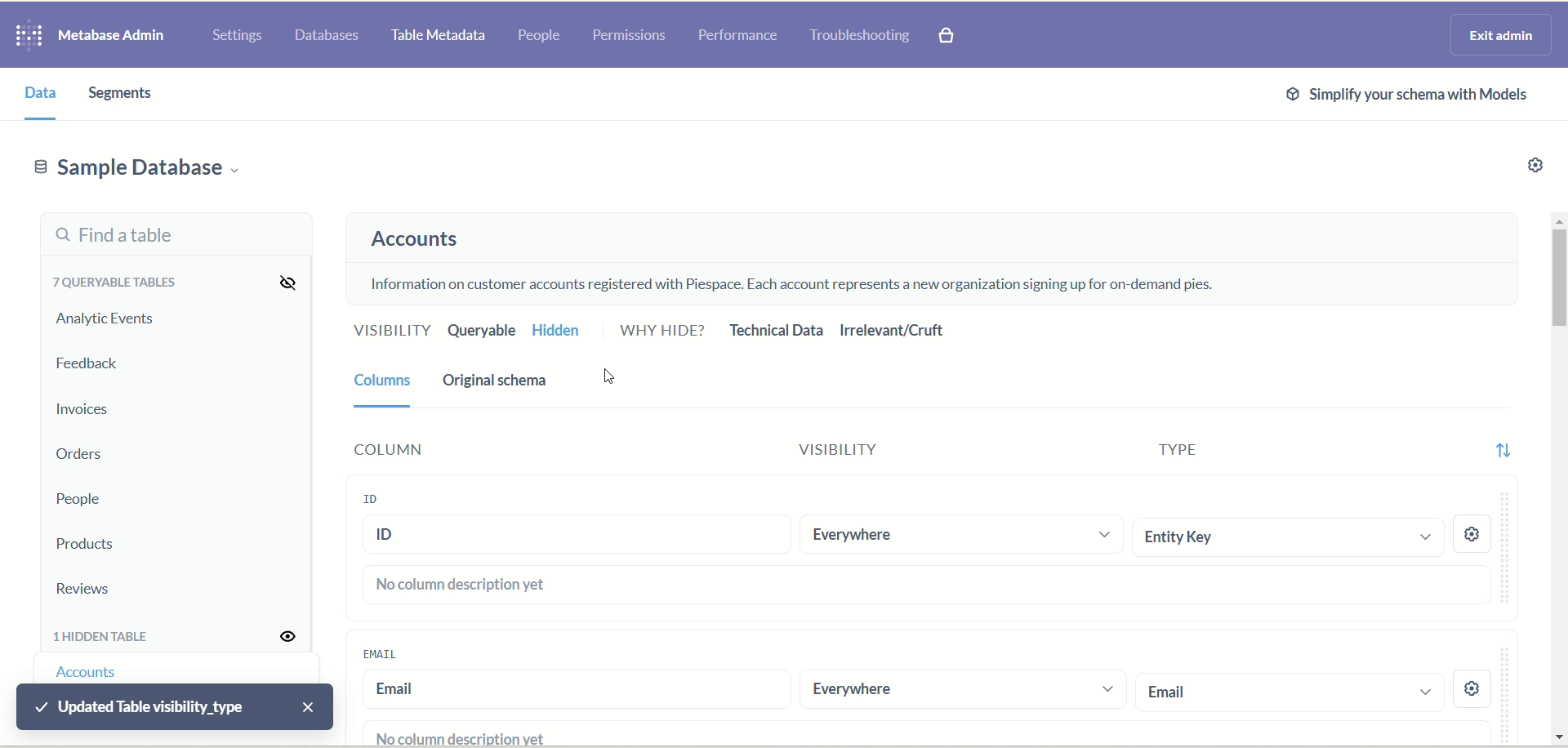 The height and width of the screenshot is (748, 1568). Describe the element at coordinates (27, 38) in the screenshot. I see `metabase logo` at that location.